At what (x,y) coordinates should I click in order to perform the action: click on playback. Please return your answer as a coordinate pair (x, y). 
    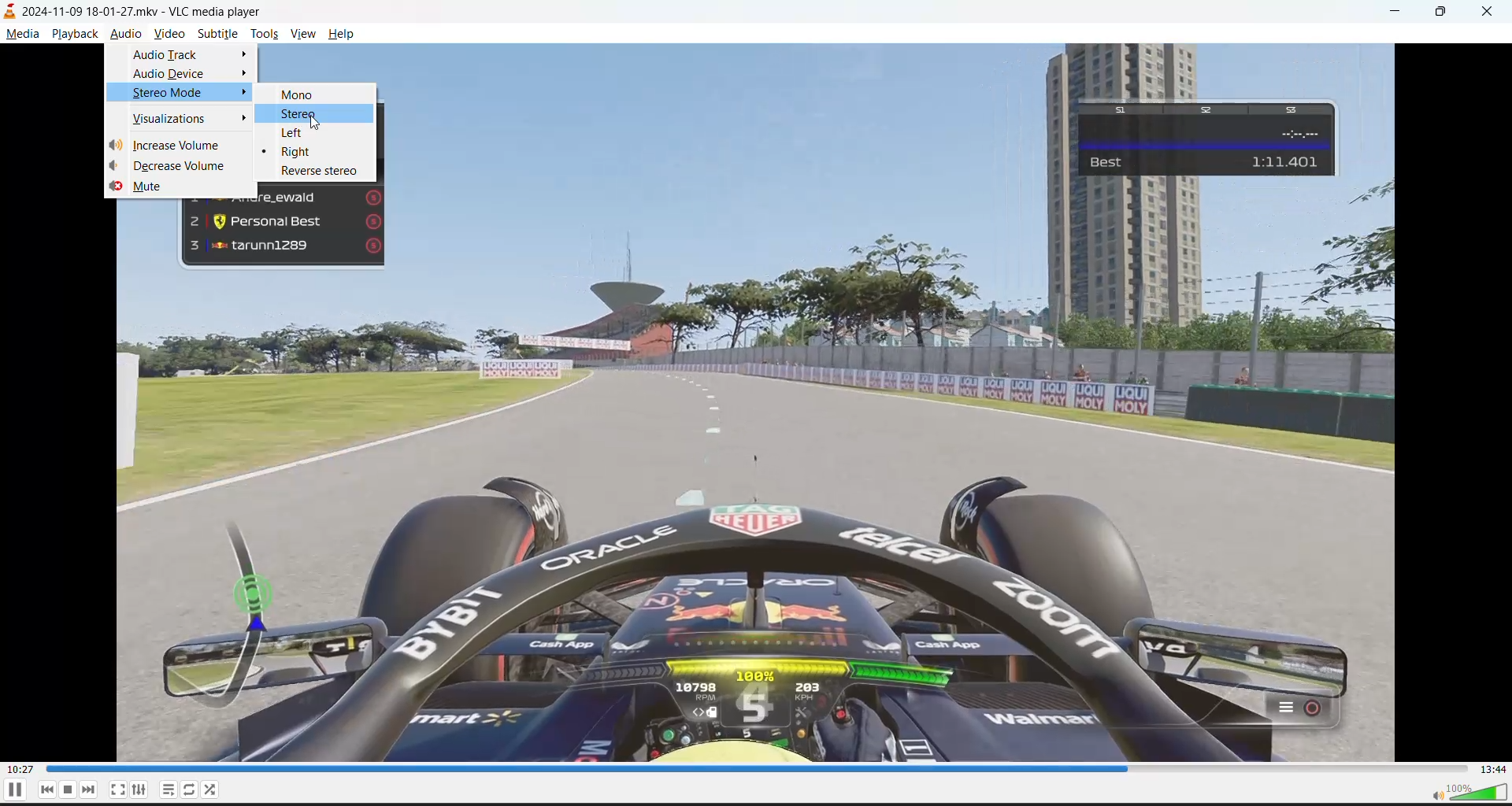
    Looking at the image, I should click on (75, 35).